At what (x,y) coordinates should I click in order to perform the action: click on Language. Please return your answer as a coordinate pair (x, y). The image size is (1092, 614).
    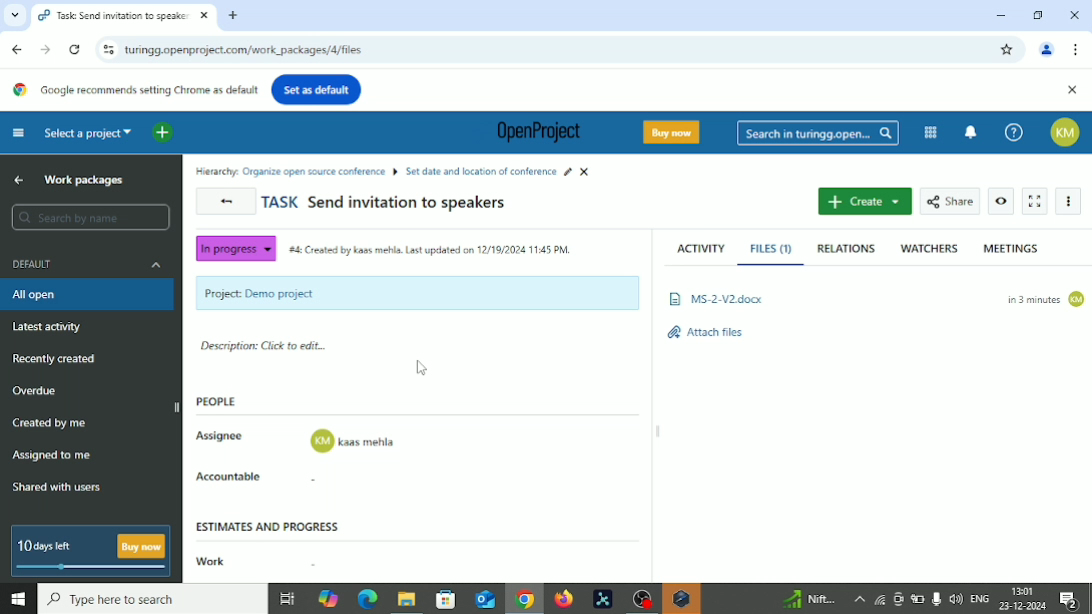
    Looking at the image, I should click on (981, 599).